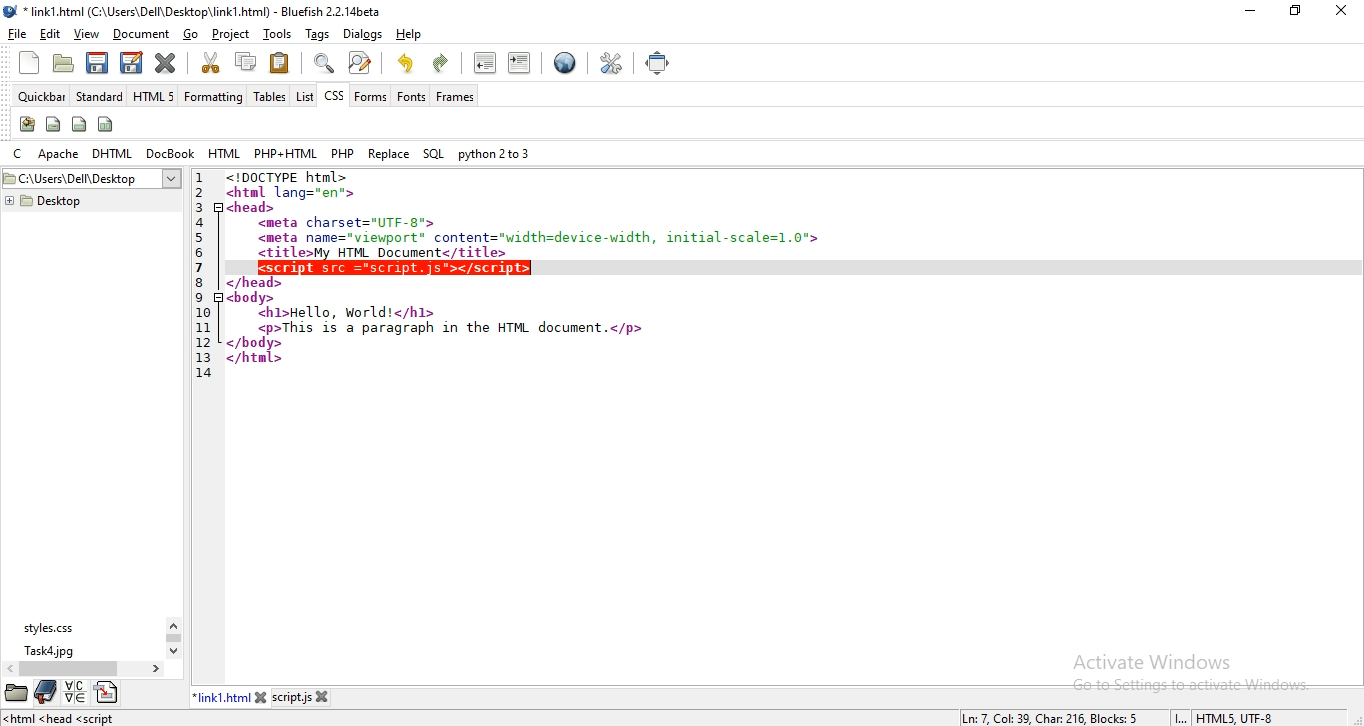  I want to click on close current file, so click(165, 65).